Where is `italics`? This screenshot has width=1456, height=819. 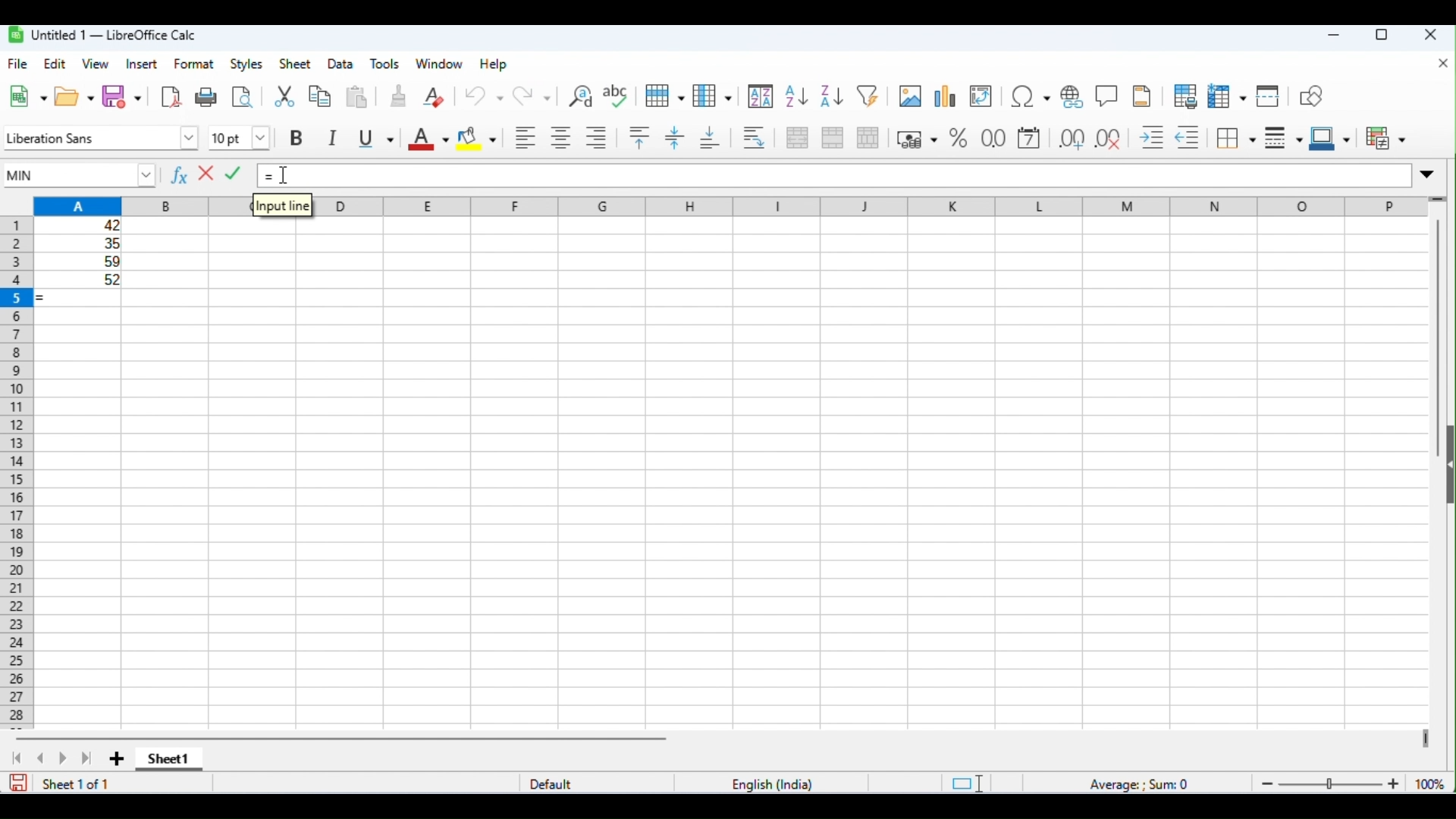 italics is located at coordinates (334, 138).